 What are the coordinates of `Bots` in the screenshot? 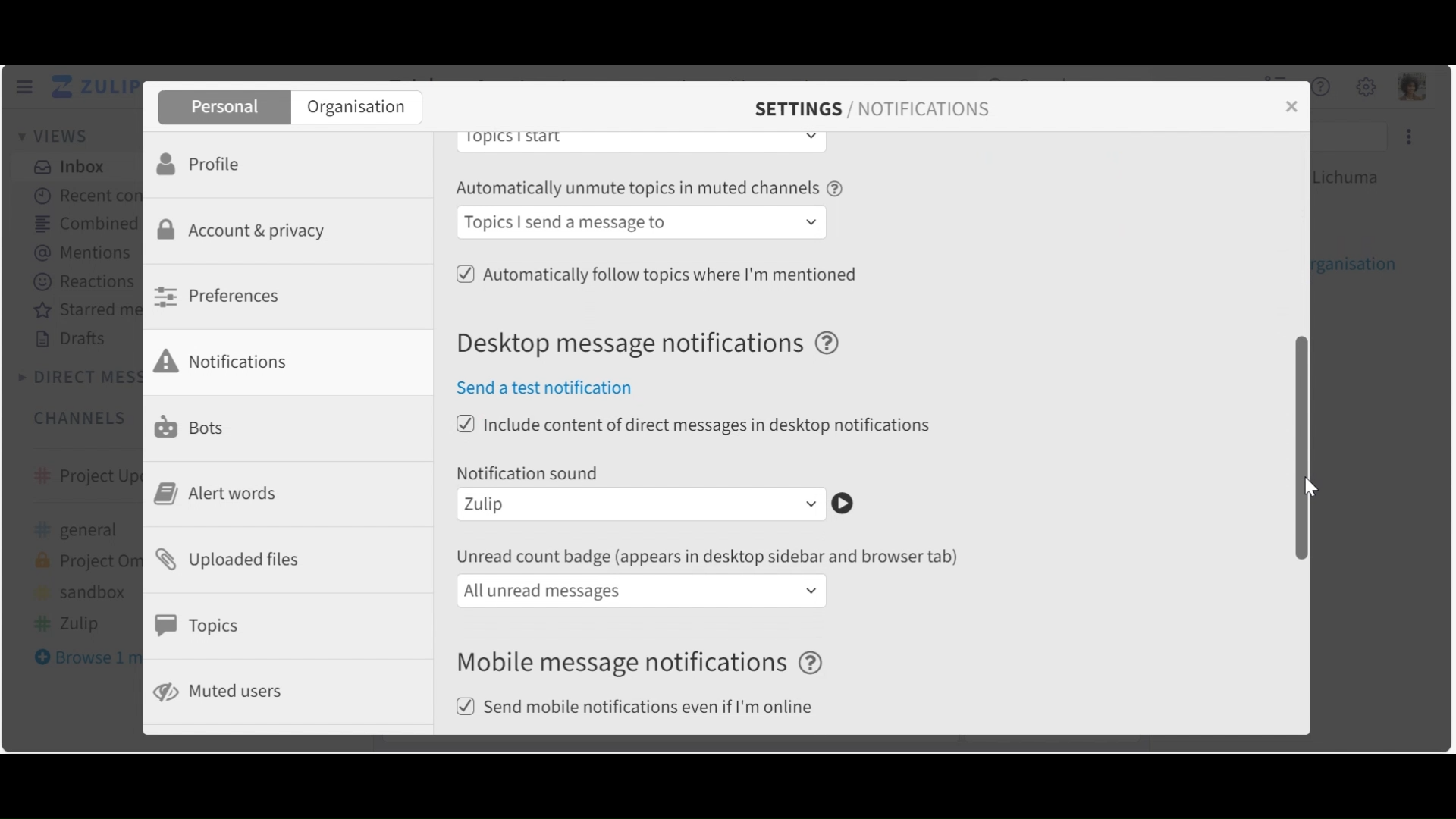 It's located at (193, 425).